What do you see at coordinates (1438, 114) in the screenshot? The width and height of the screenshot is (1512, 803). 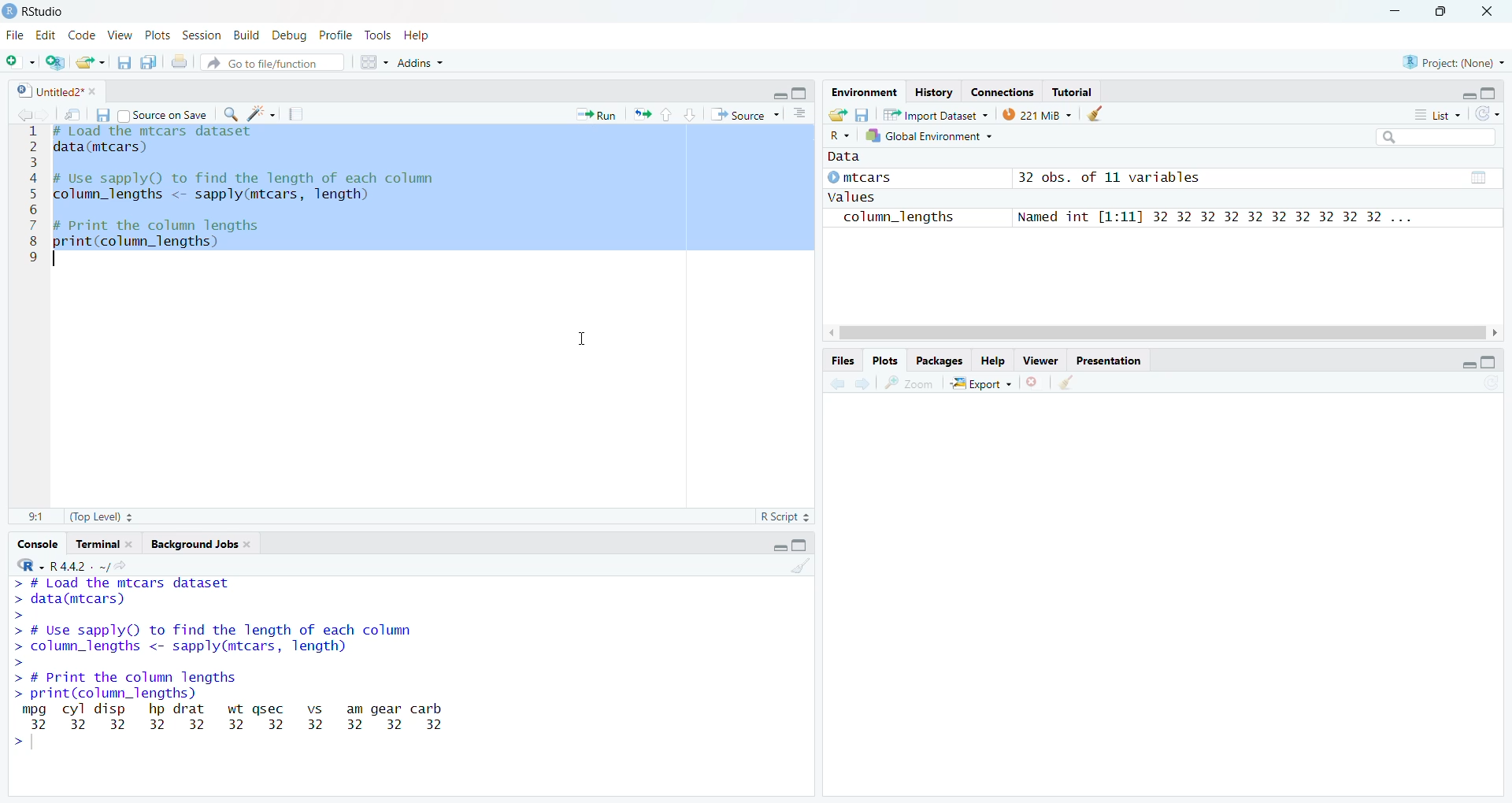 I see `List` at bounding box center [1438, 114].